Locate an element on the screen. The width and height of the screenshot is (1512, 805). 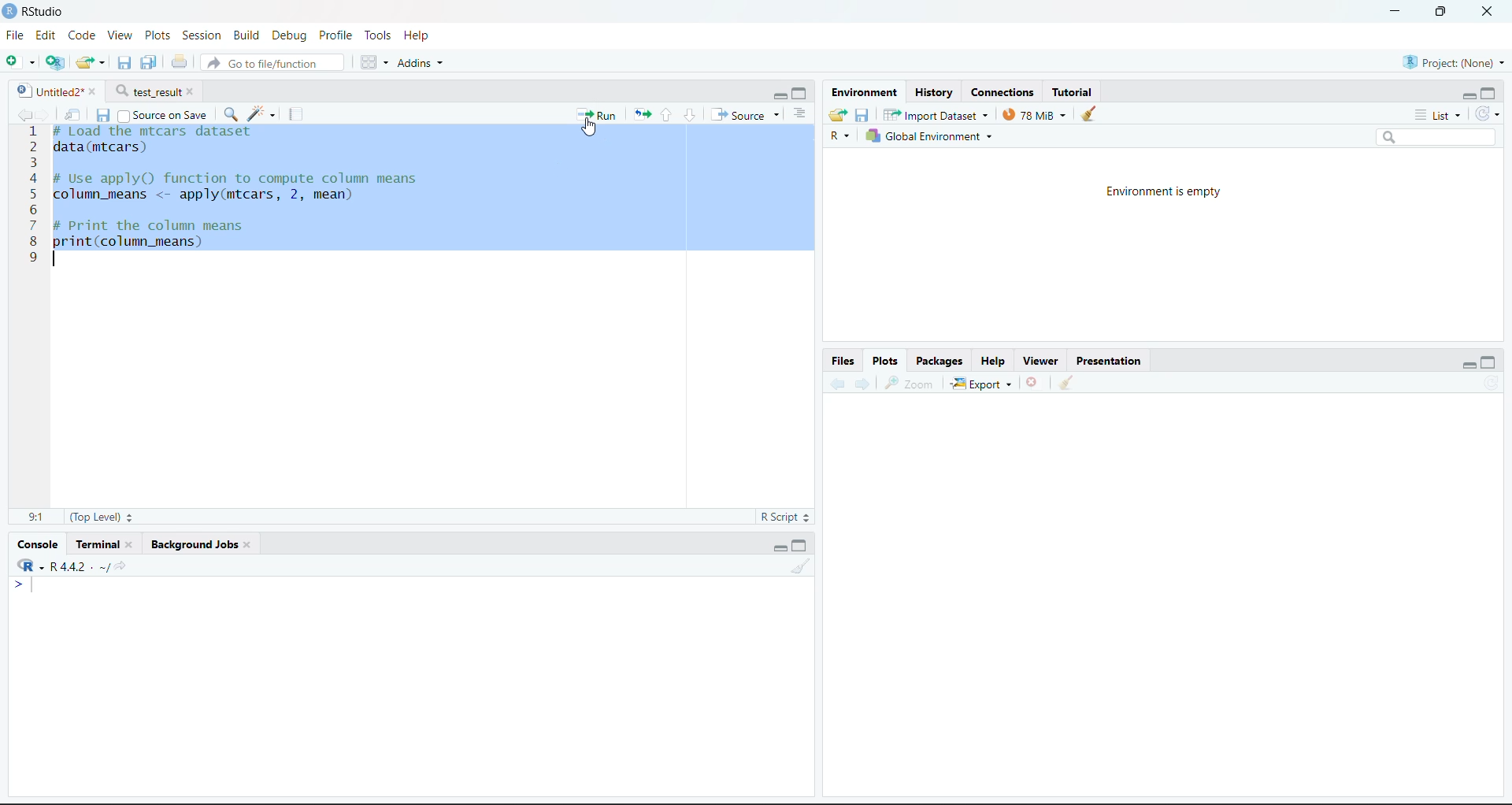
Refresh the list of objects in the environment is located at coordinates (1487, 113).